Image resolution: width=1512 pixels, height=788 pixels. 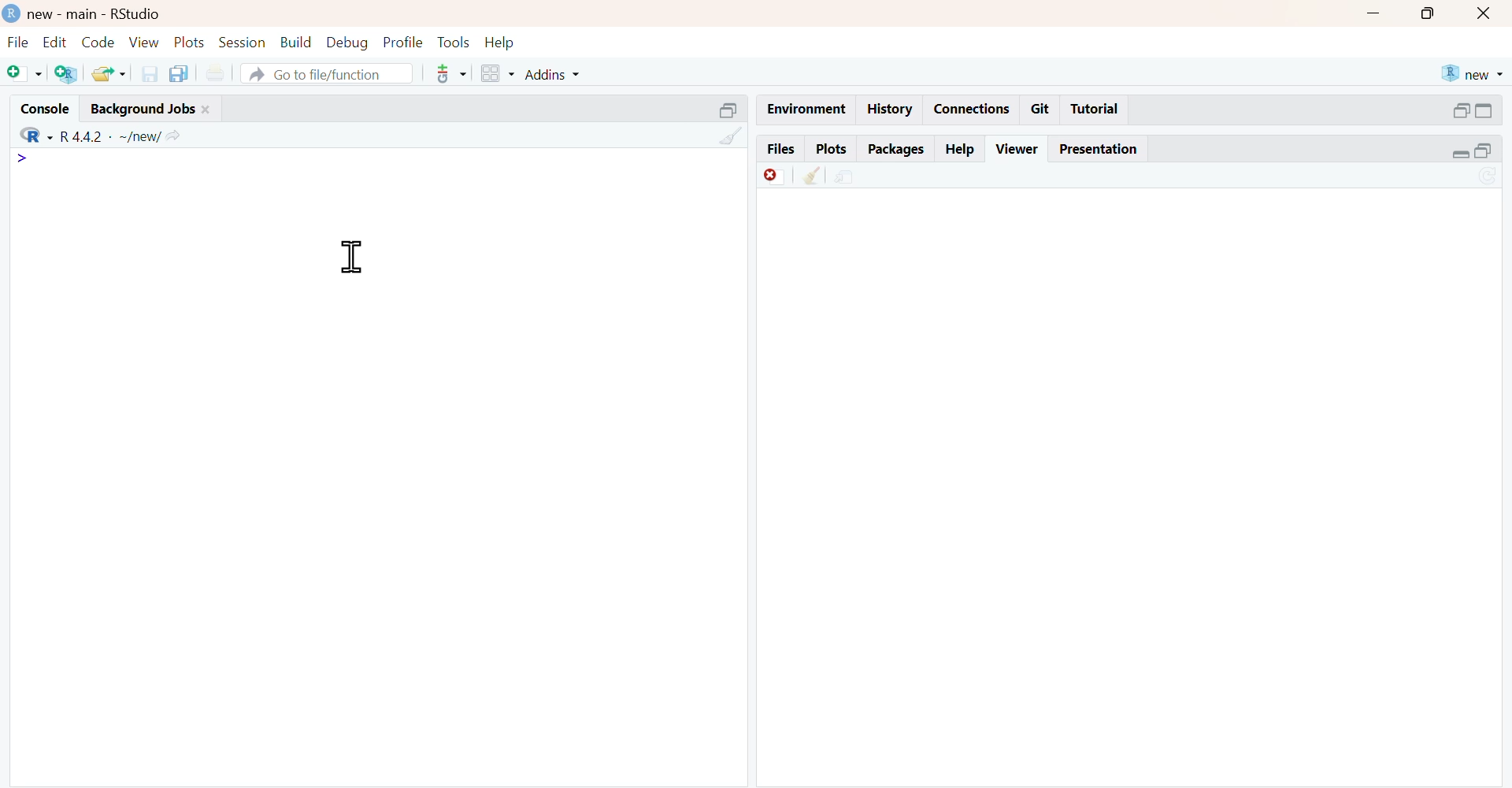 I want to click on help, so click(x=500, y=44).